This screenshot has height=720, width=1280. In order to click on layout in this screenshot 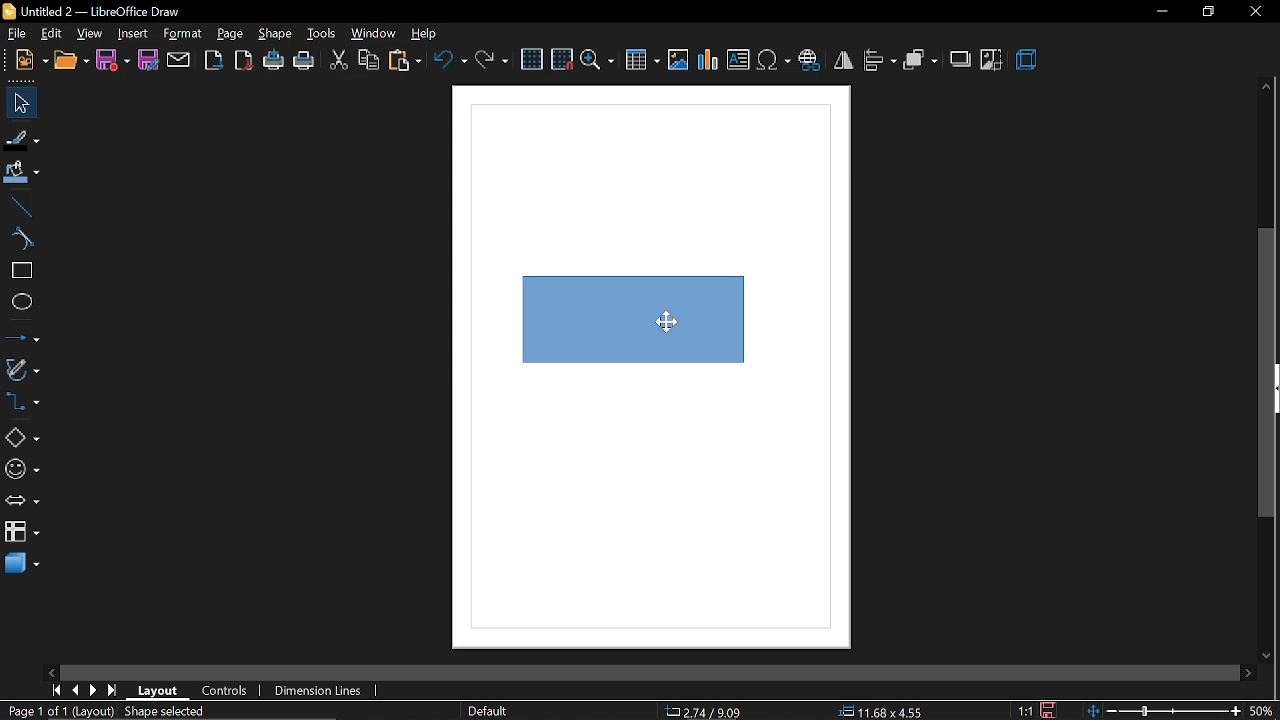, I will do `click(158, 691)`.